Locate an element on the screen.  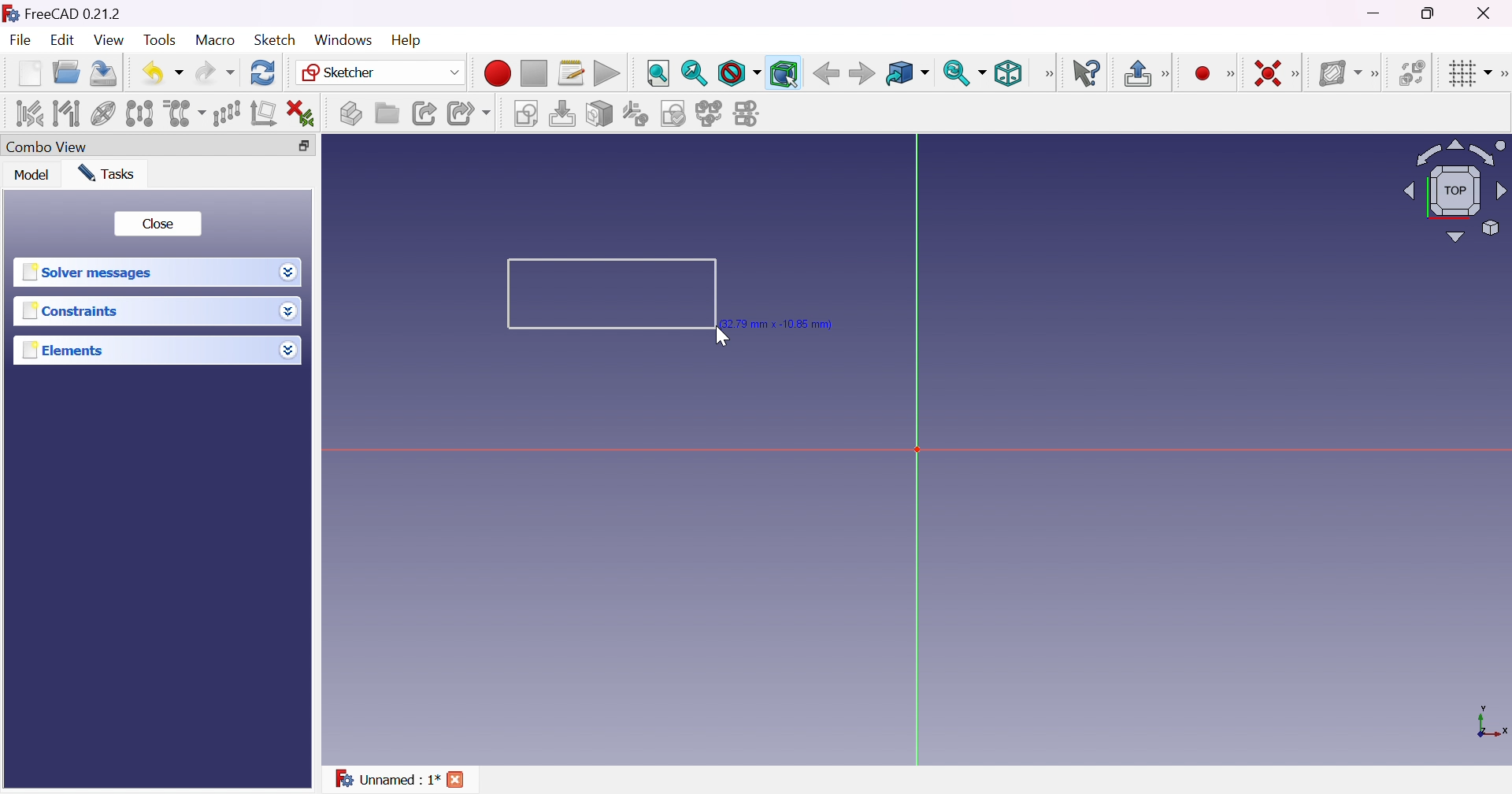
Restore down is located at coordinates (304, 146).